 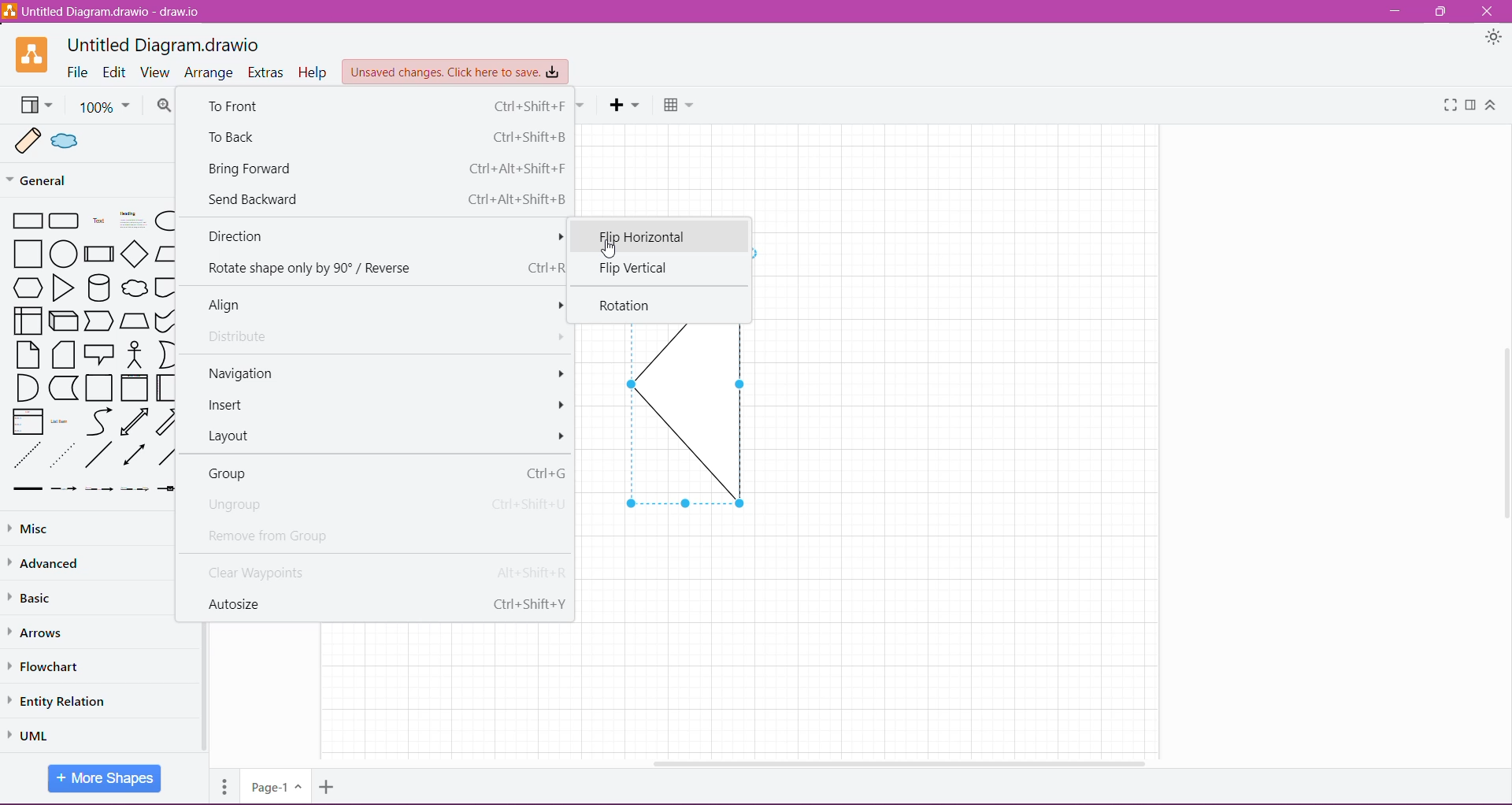 What do you see at coordinates (223, 788) in the screenshot?
I see `Pages` at bounding box center [223, 788].